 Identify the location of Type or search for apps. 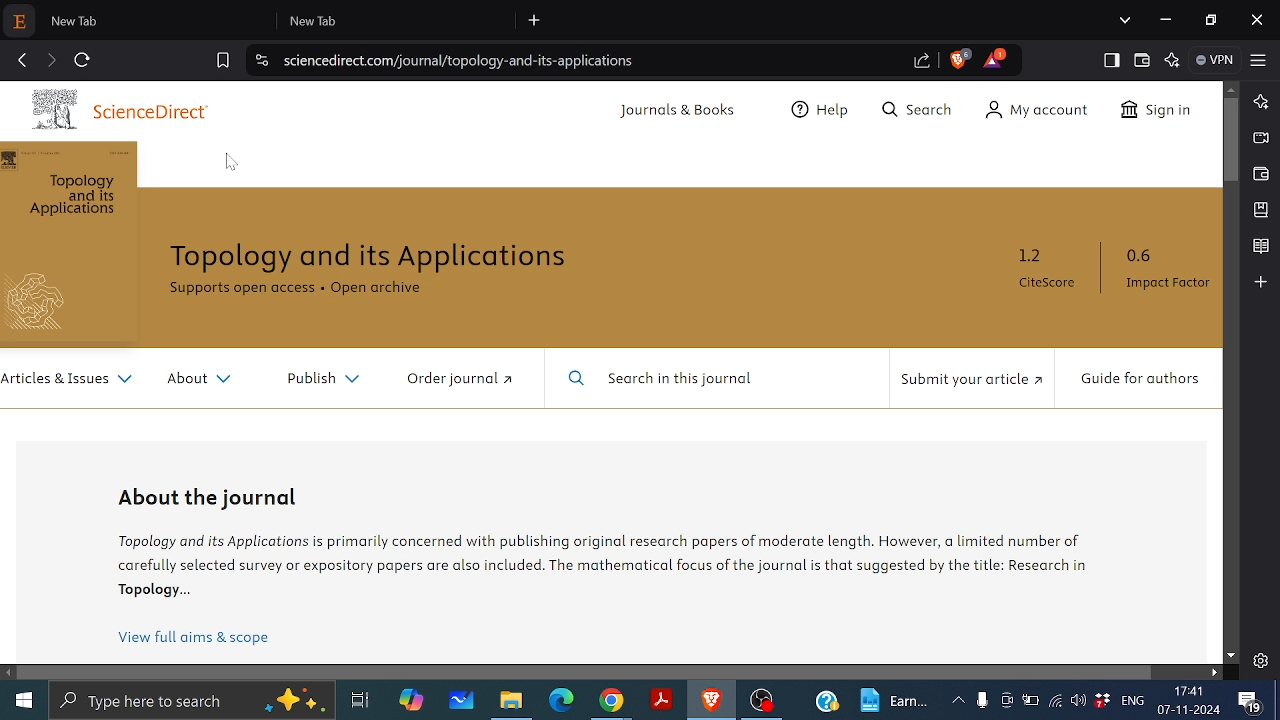
(190, 701).